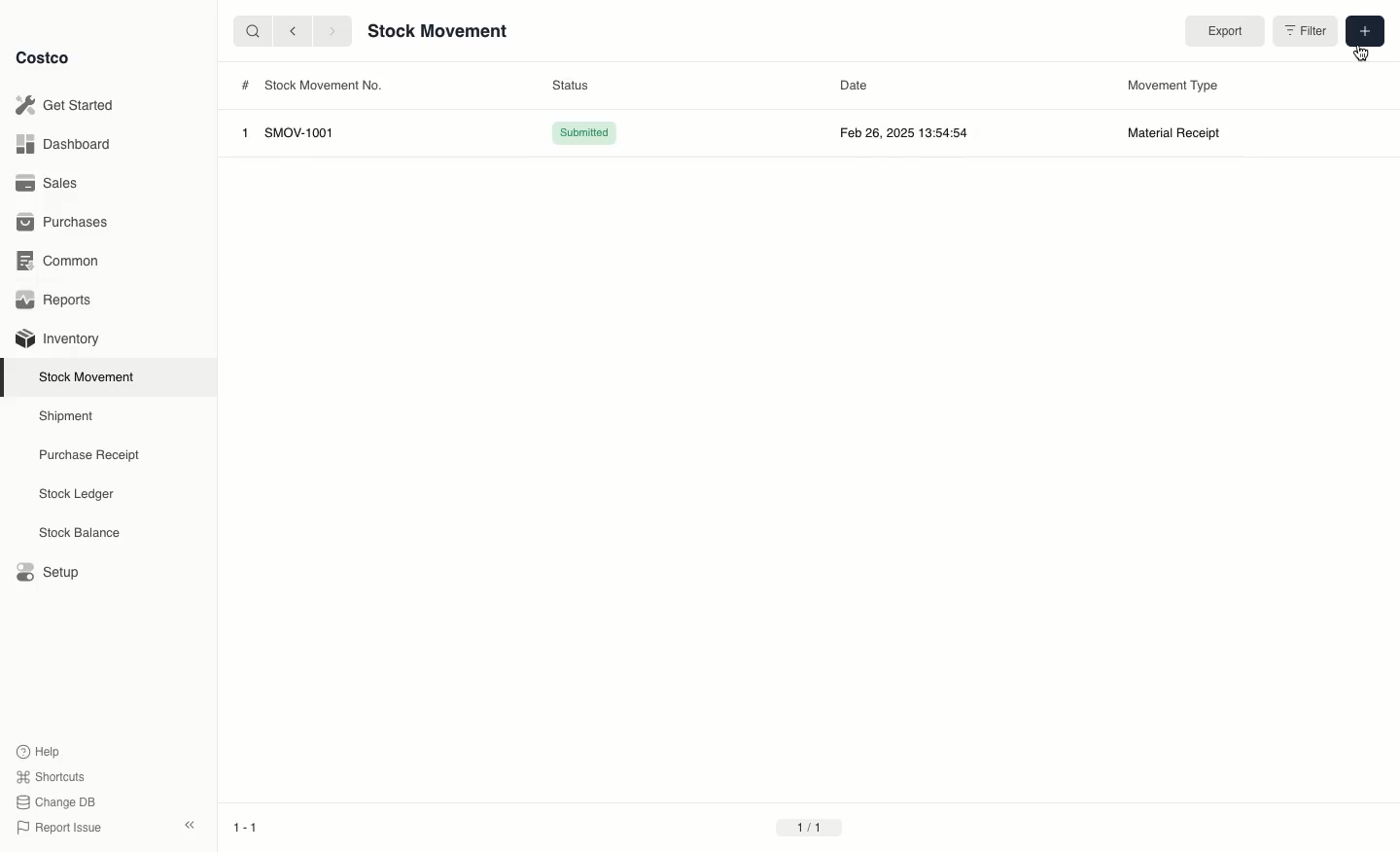  Describe the element at coordinates (1226, 33) in the screenshot. I see `Export` at that location.